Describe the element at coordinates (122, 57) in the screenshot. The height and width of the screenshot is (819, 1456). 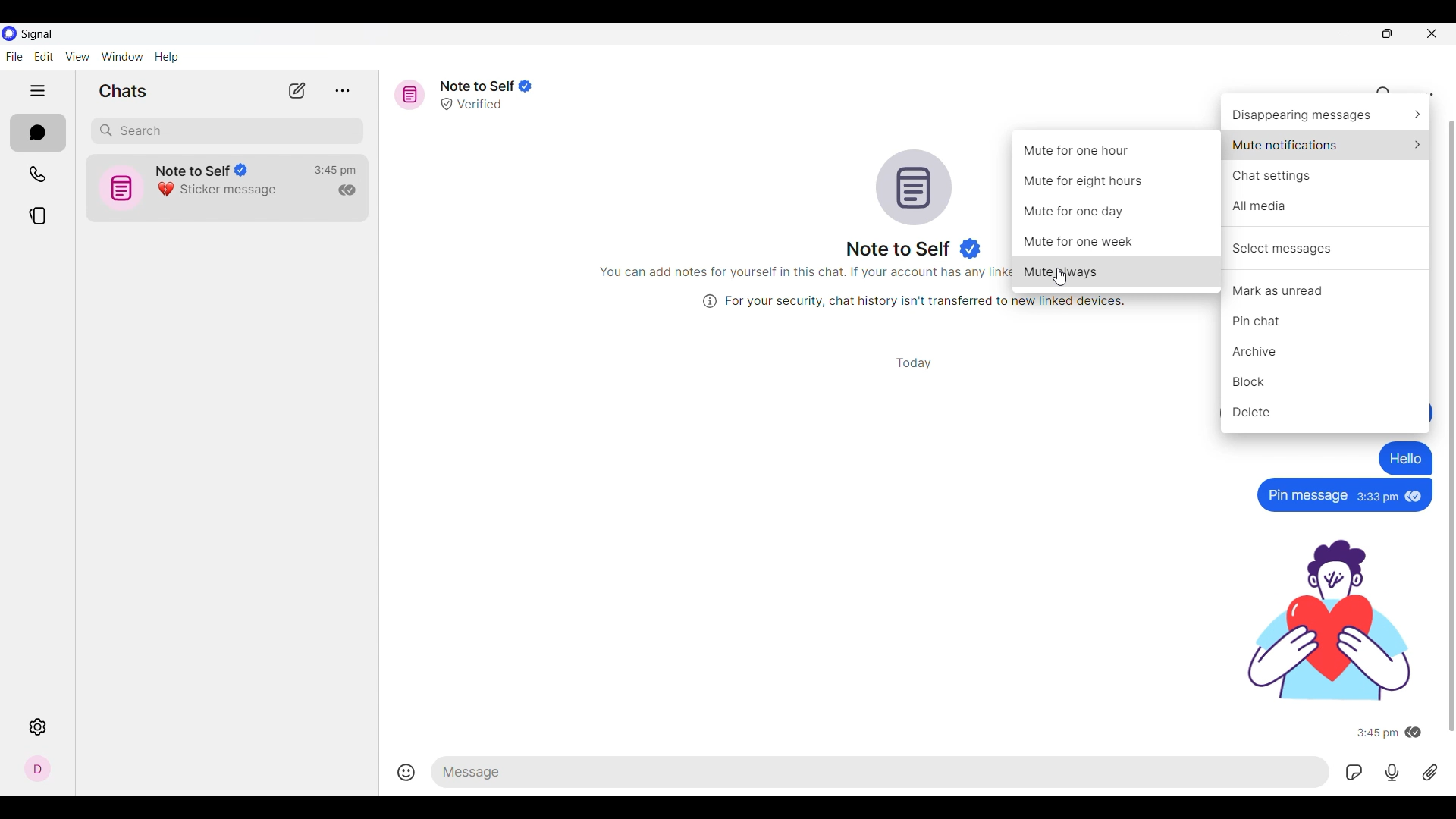
I see `Window menu` at that location.